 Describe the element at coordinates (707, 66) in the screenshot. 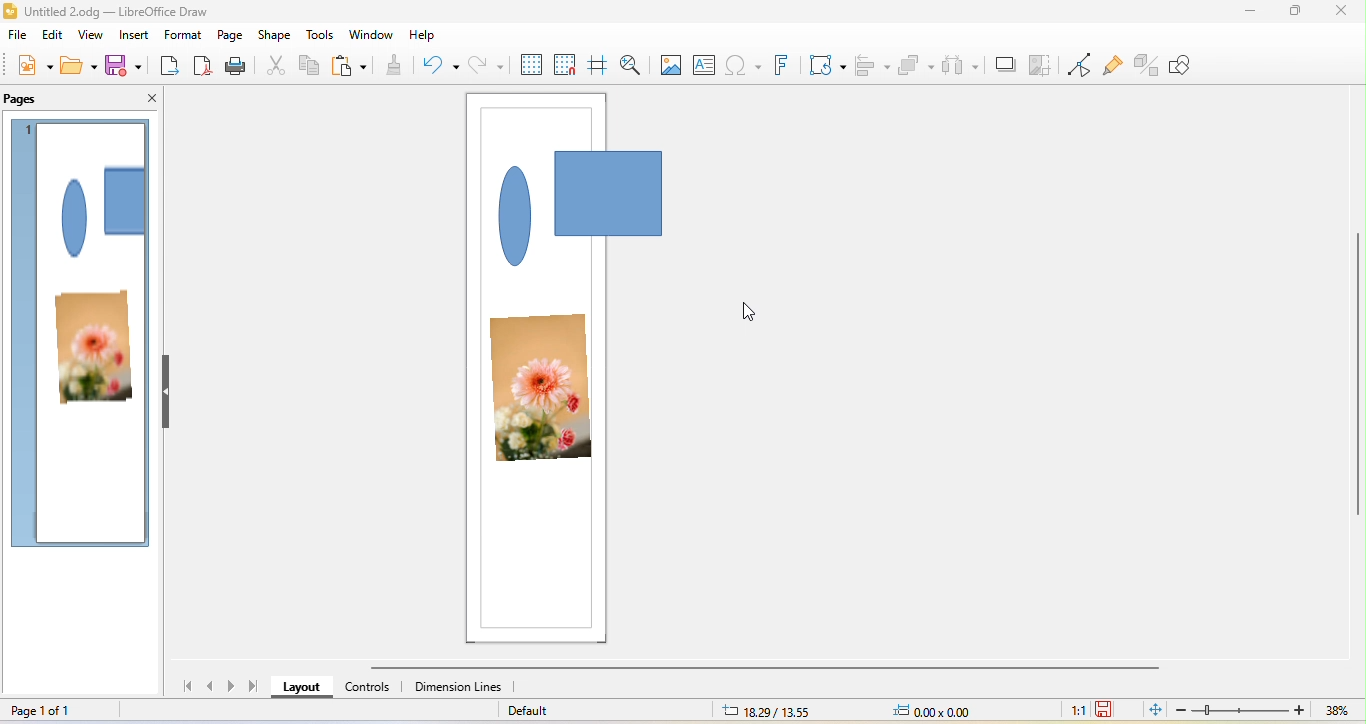

I see `text box` at that location.